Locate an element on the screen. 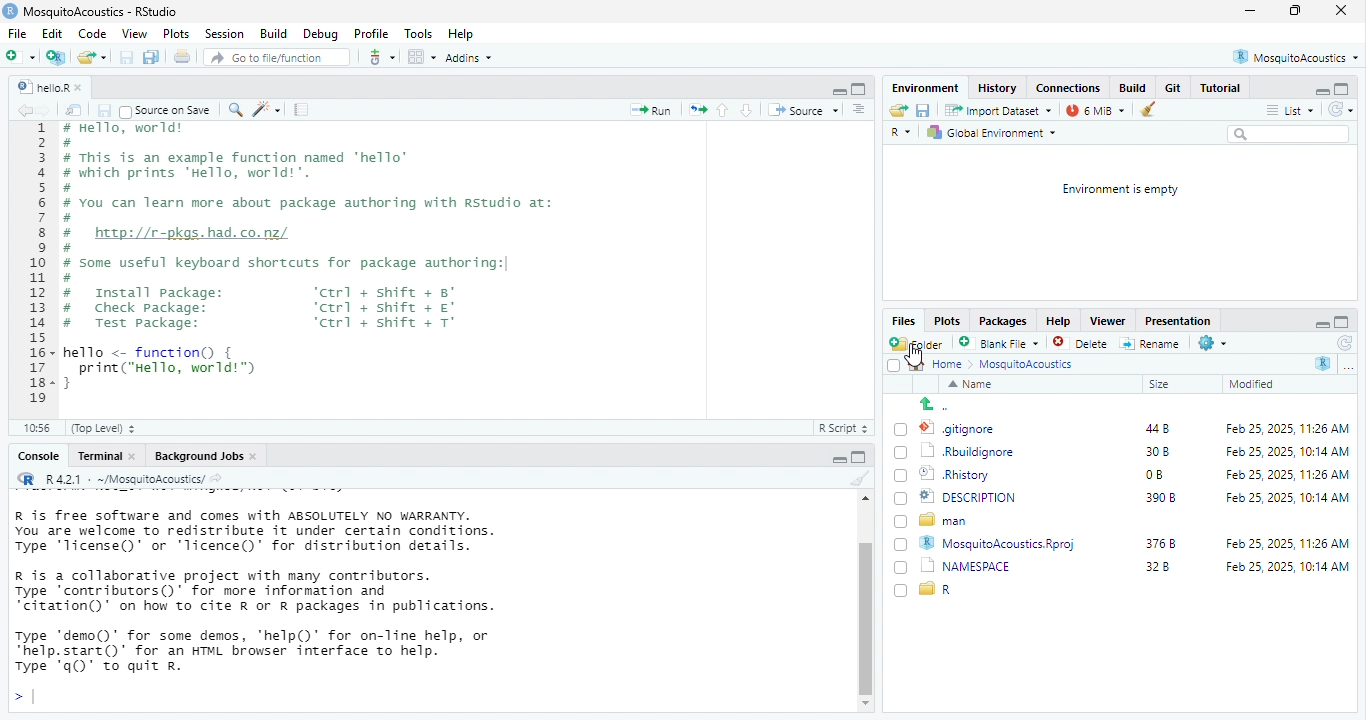 Image resolution: width=1366 pixels, height=720 pixels. 7 mb is located at coordinates (1098, 110).